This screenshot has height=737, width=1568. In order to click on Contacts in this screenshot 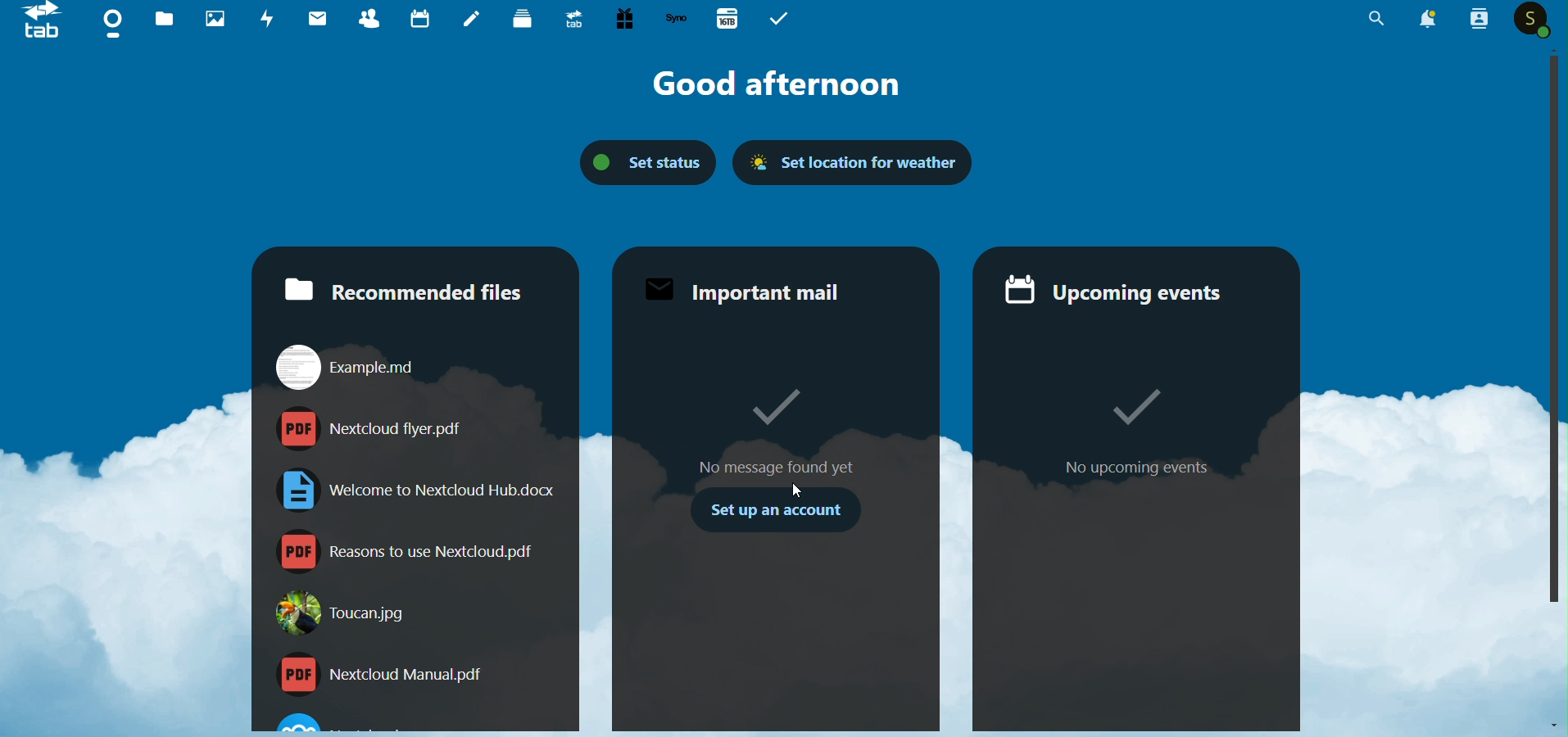, I will do `click(1480, 20)`.